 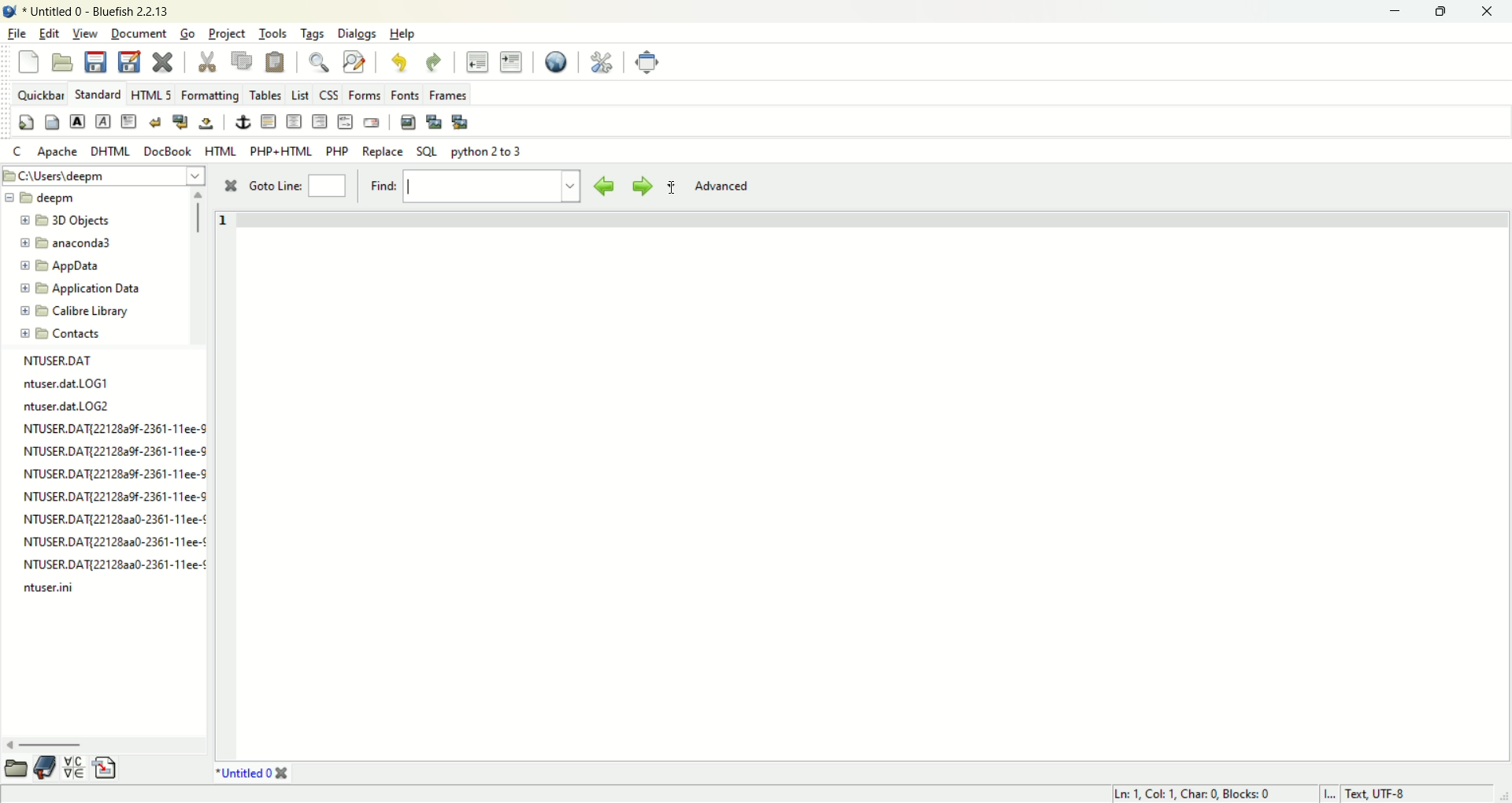 I want to click on indent, so click(x=511, y=61).